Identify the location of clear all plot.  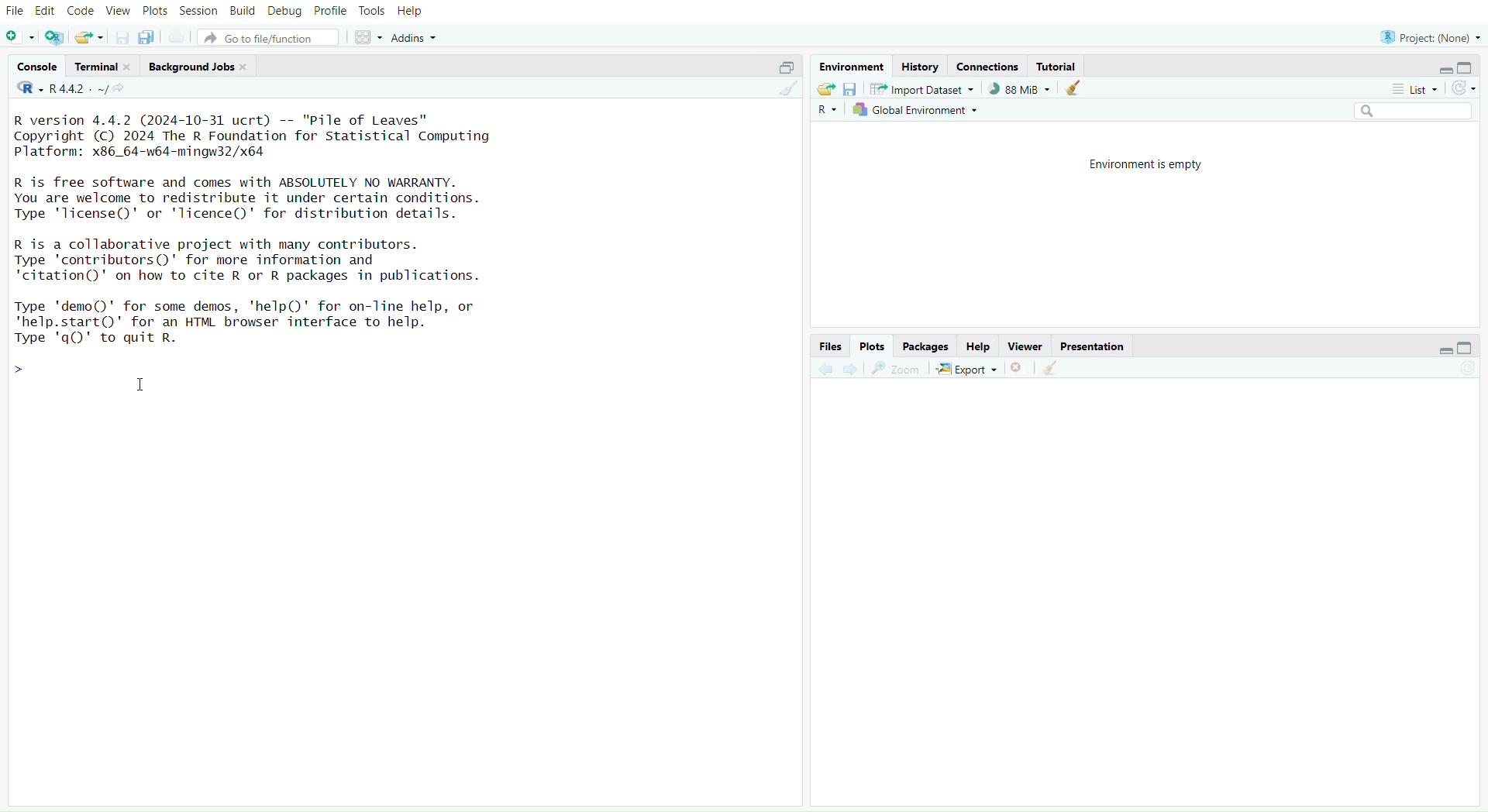
(1052, 368).